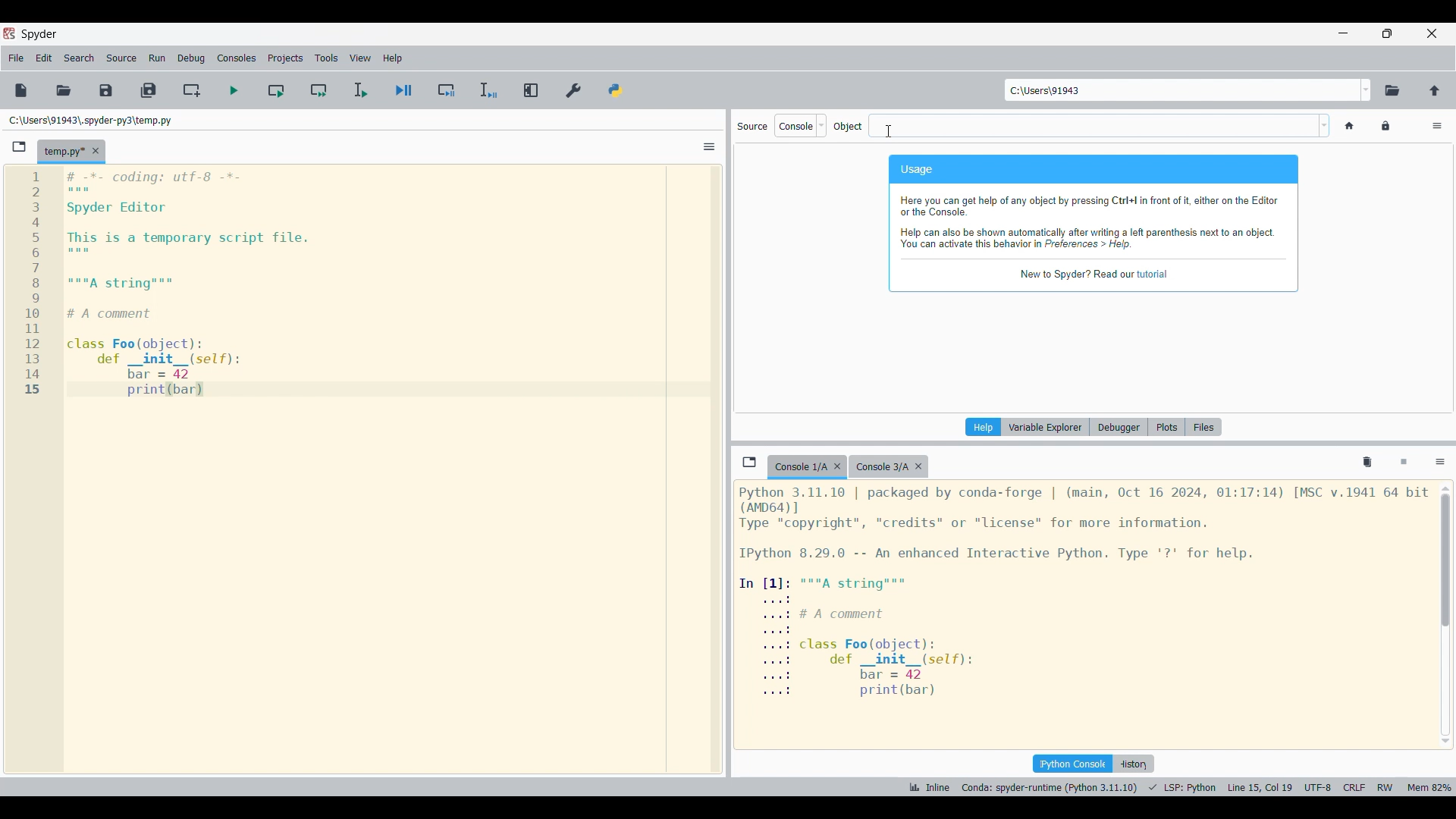  I want to click on Tools menu, so click(326, 58).